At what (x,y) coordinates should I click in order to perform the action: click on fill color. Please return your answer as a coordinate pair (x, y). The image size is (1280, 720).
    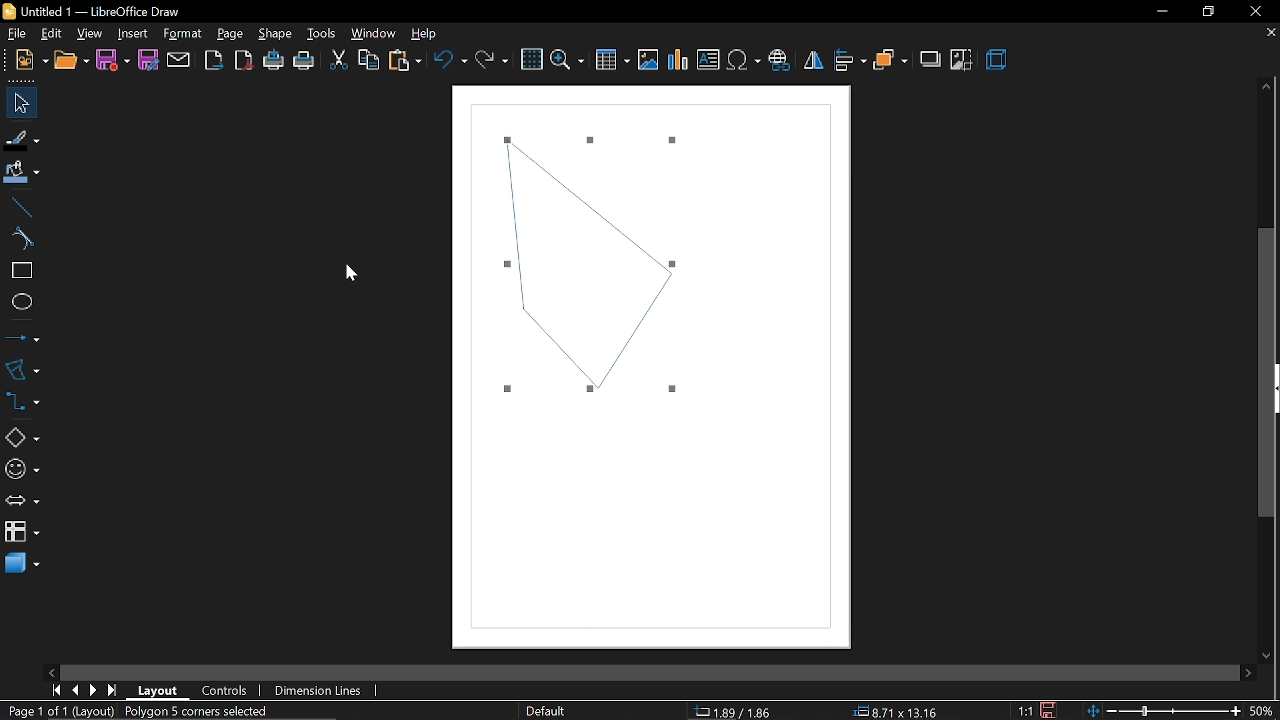
    Looking at the image, I should click on (19, 172).